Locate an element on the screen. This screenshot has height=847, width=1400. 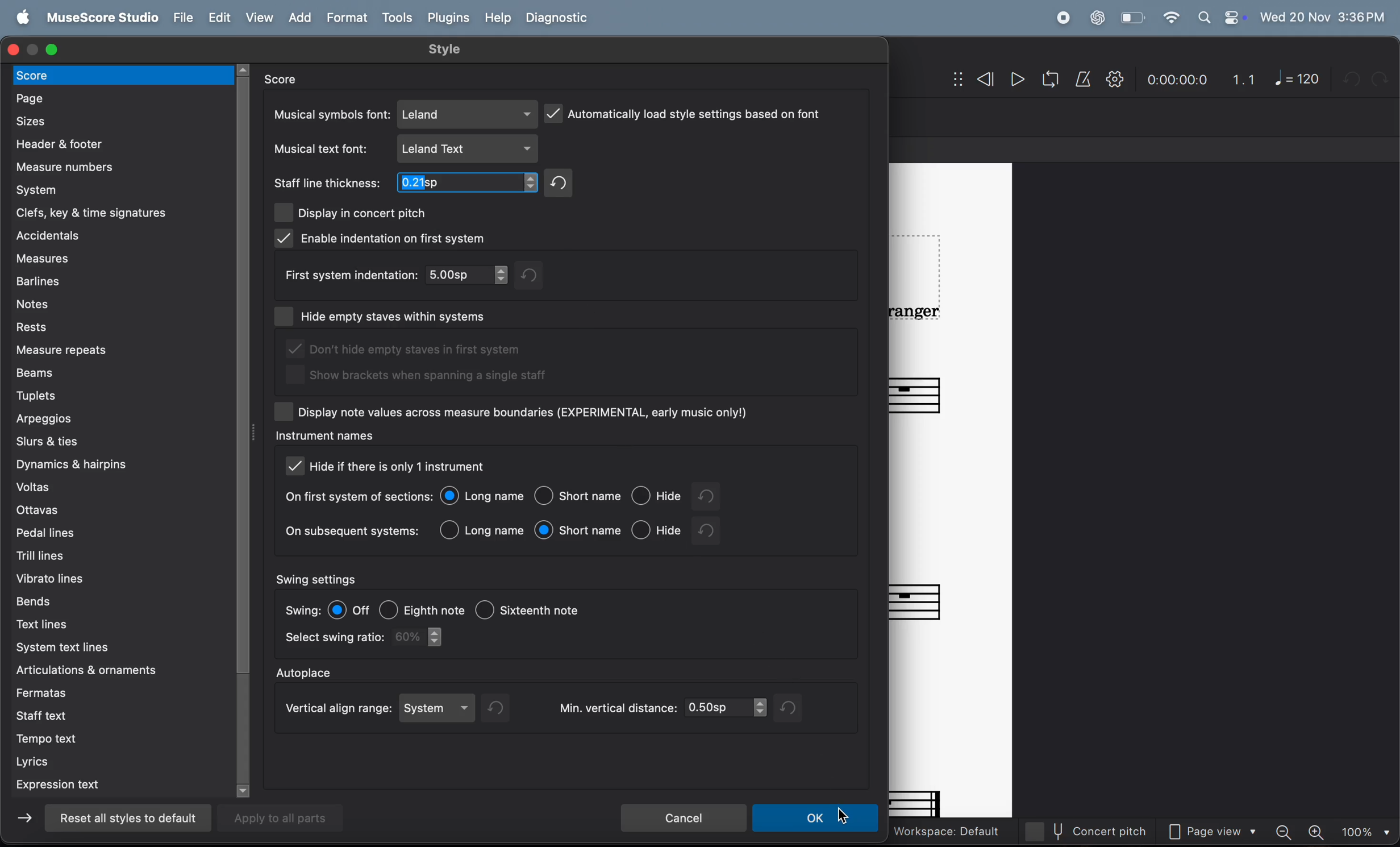
articulations is located at coordinates (97, 671).